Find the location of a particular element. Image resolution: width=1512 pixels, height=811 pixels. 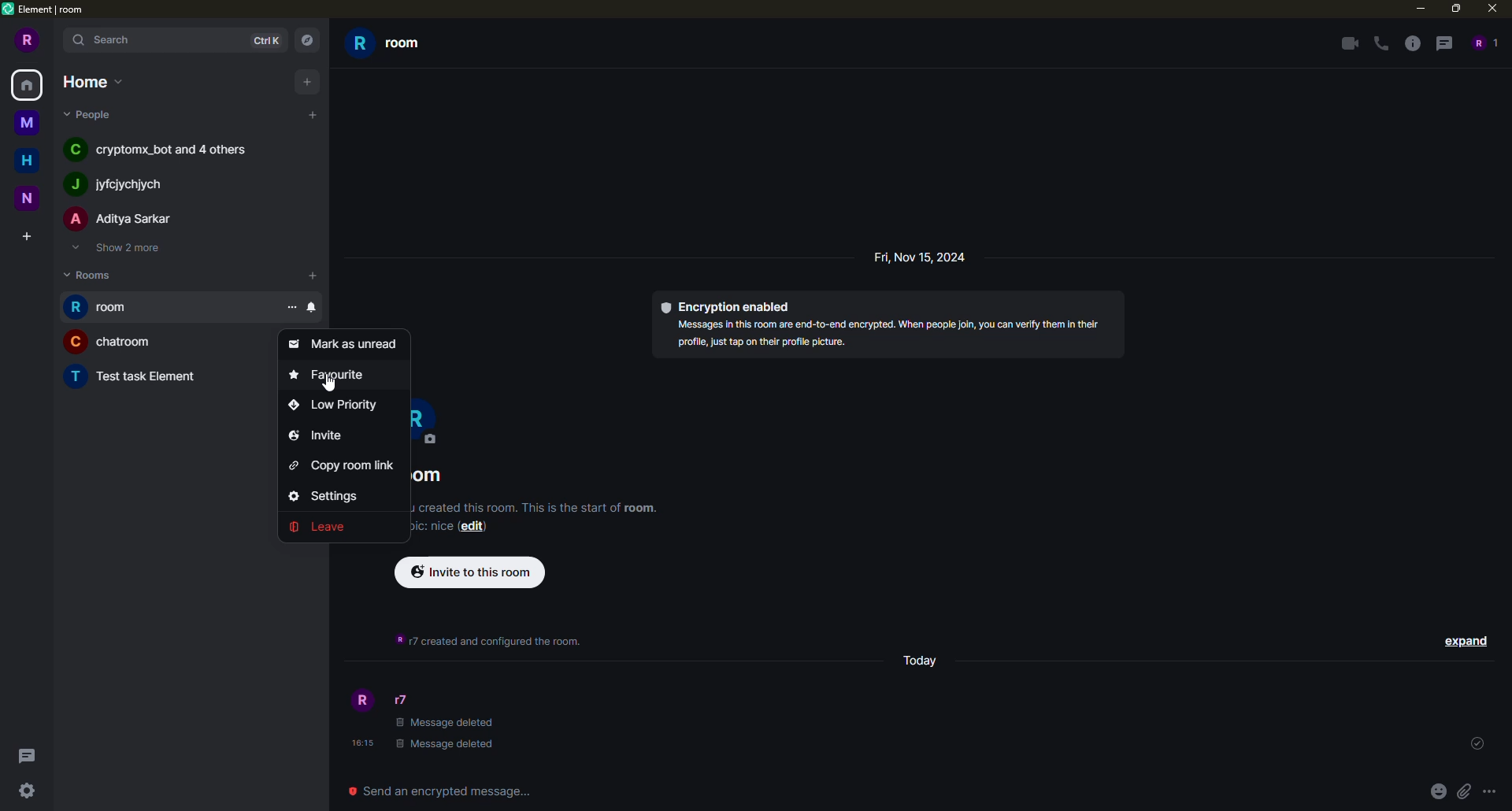

attach is located at coordinates (1463, 791).